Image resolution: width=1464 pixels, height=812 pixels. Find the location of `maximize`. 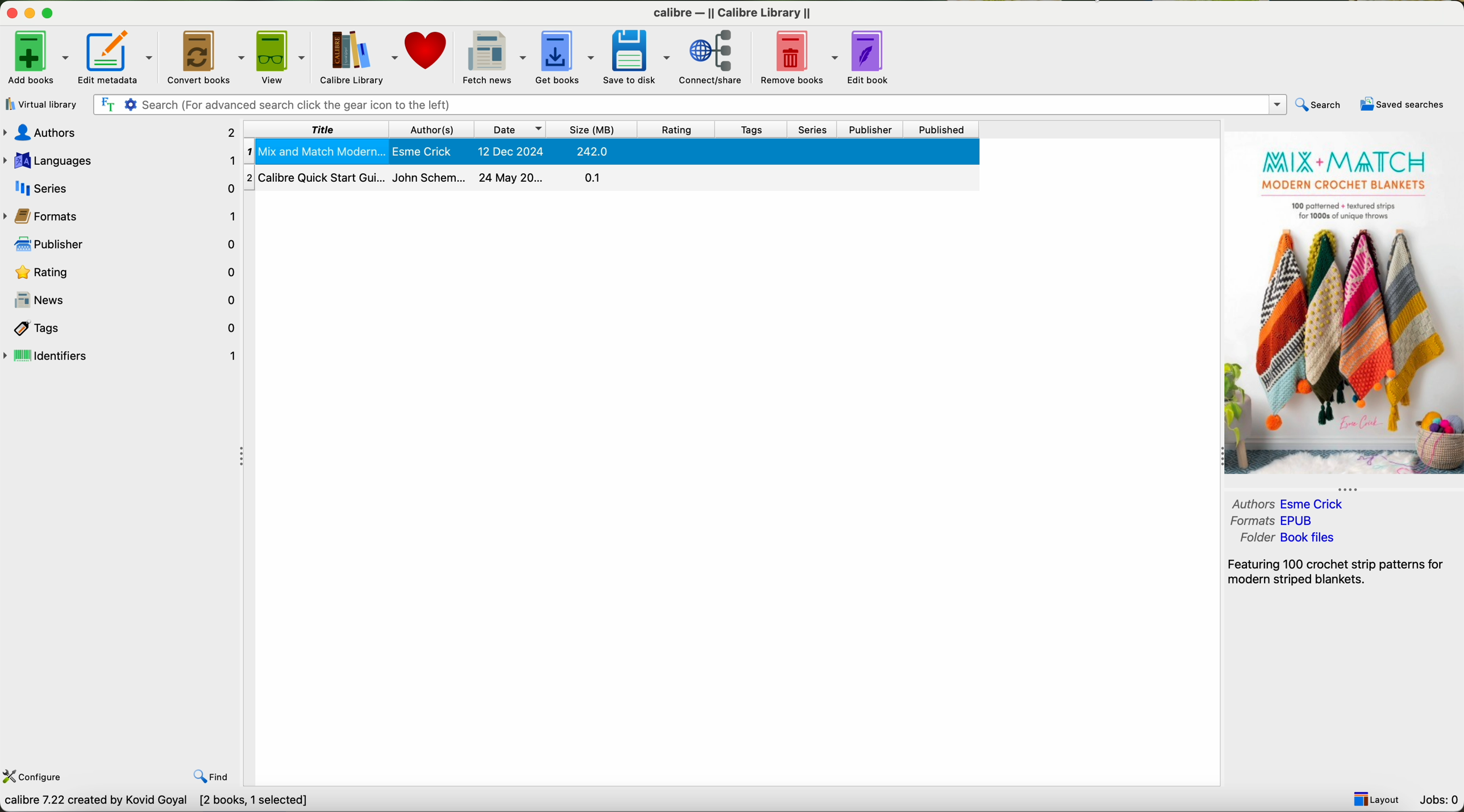

maximize is located at coordinates (52, 14).